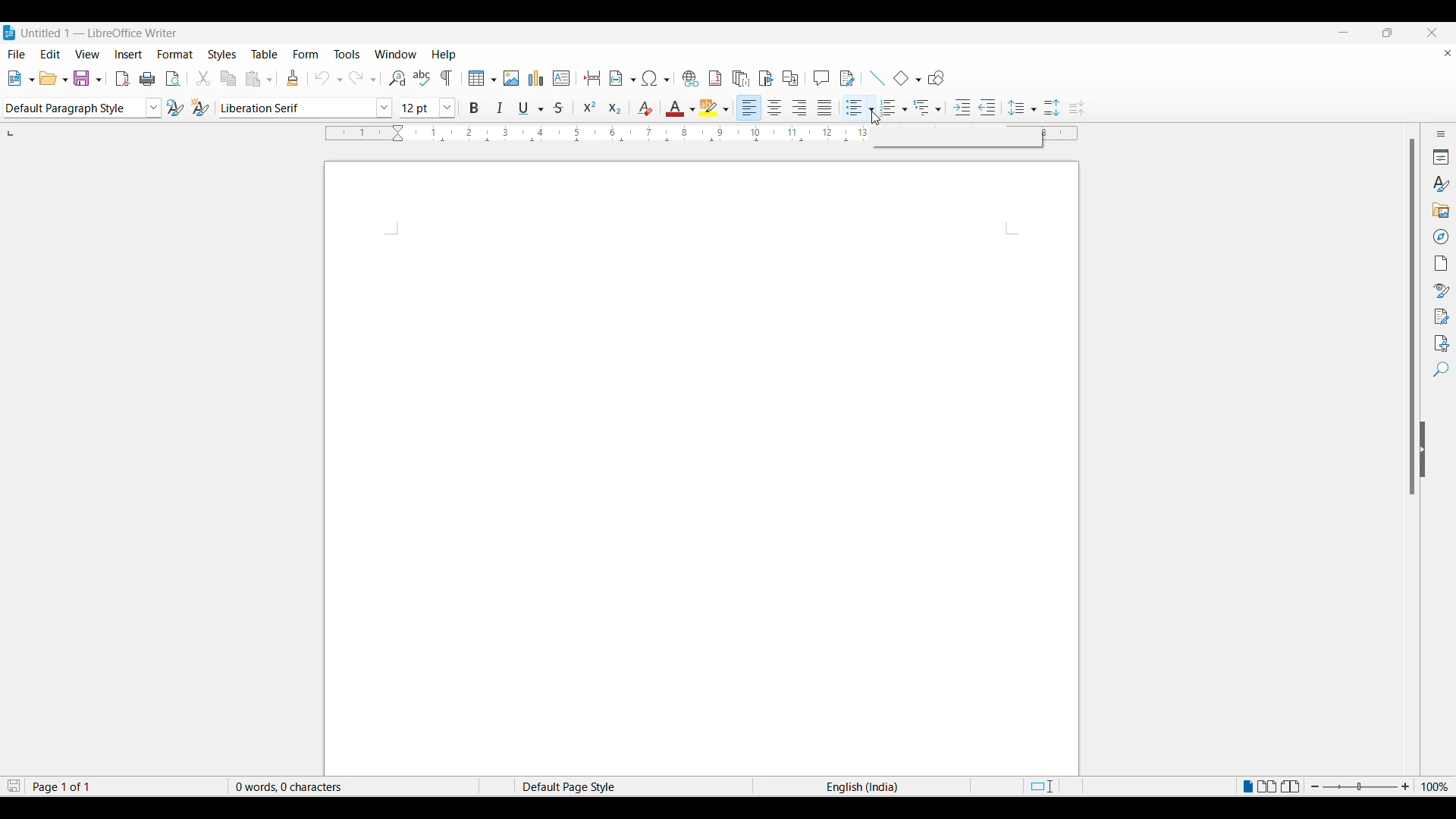 The width and height of the screenshot is (1456, 819). I want to click on Single page view, so click(1247, 785).